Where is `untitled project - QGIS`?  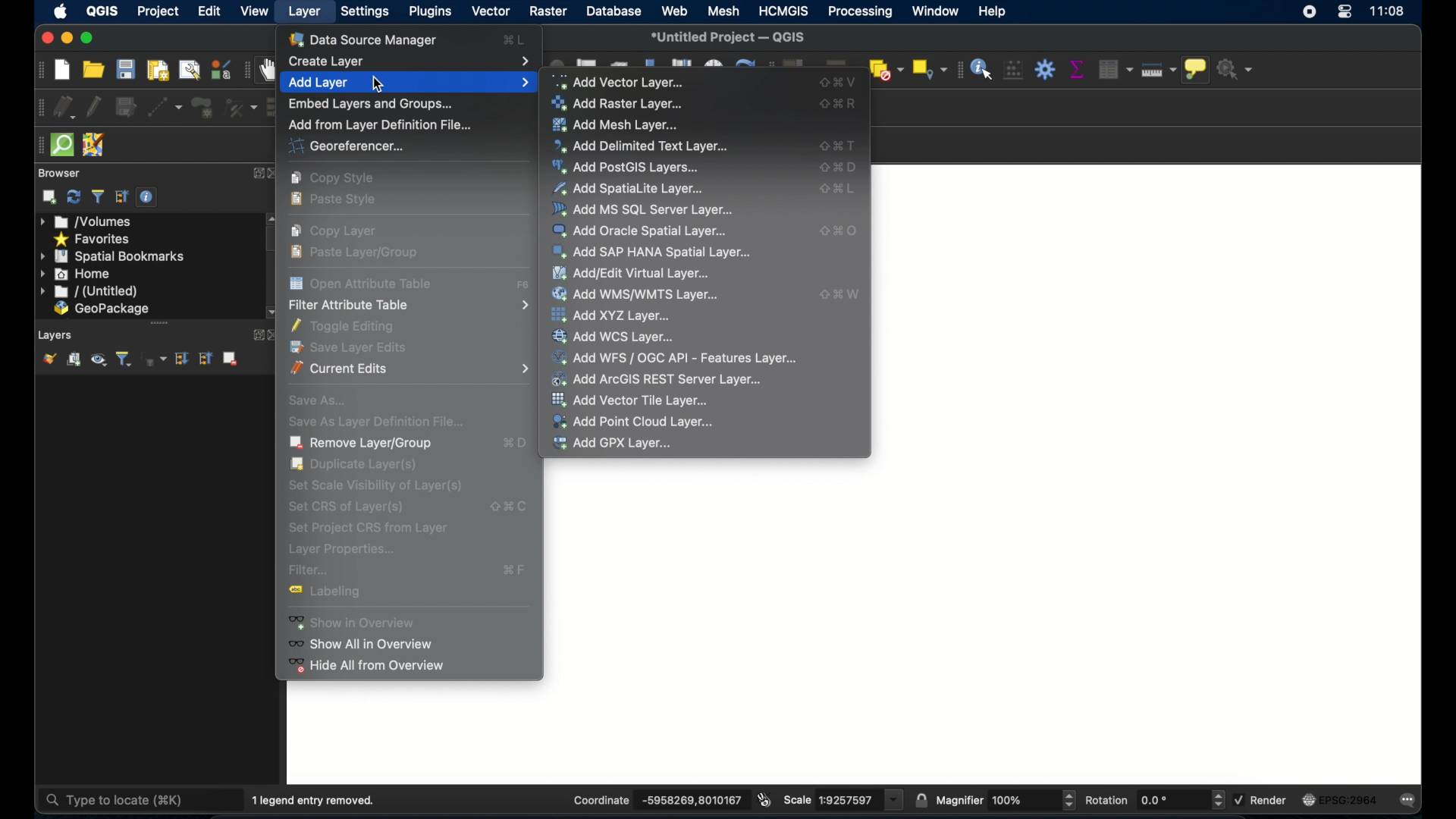
untitled project - QGIS is located at coordinates (732, 36).